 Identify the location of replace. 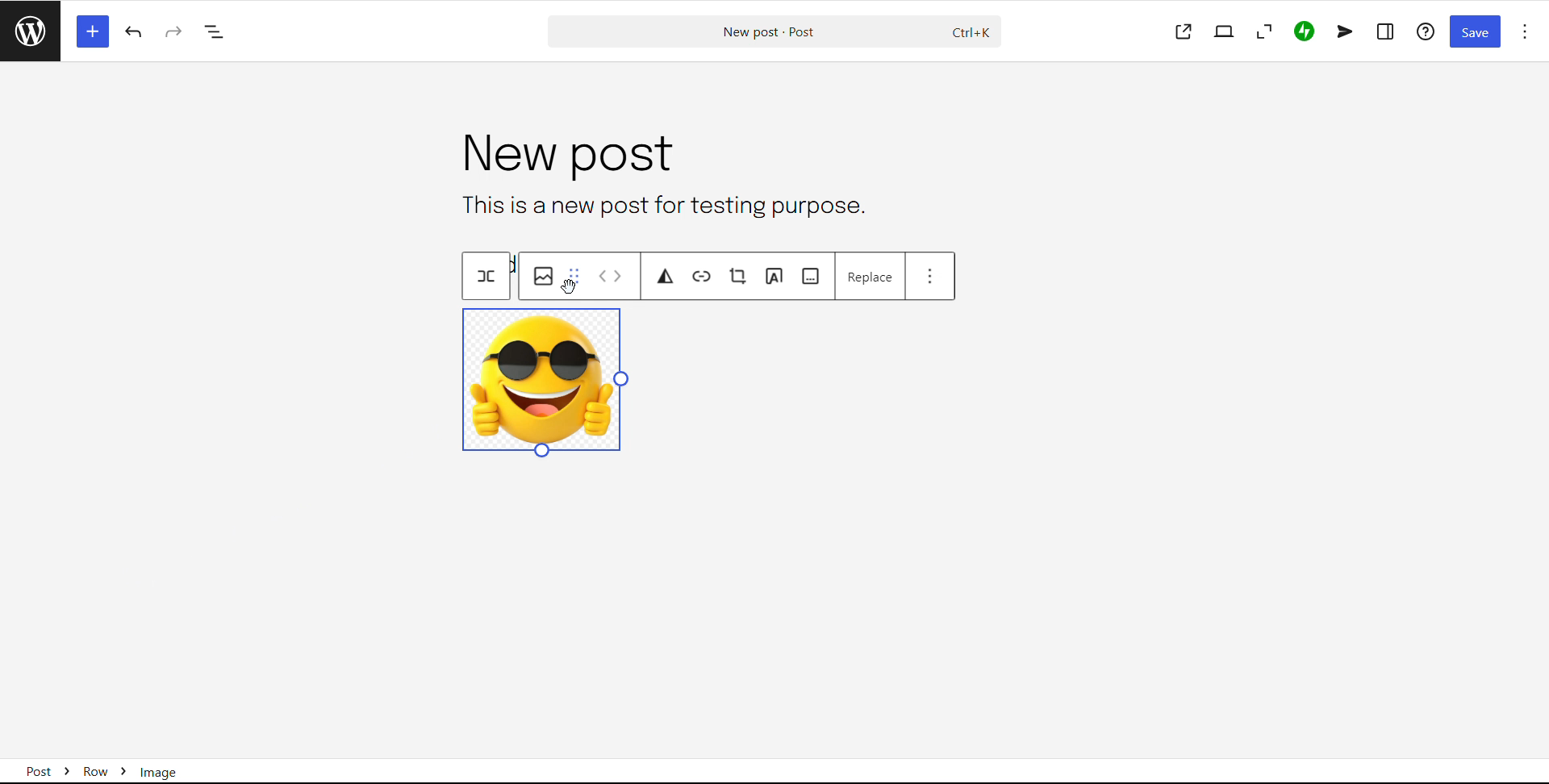
(871, 277).